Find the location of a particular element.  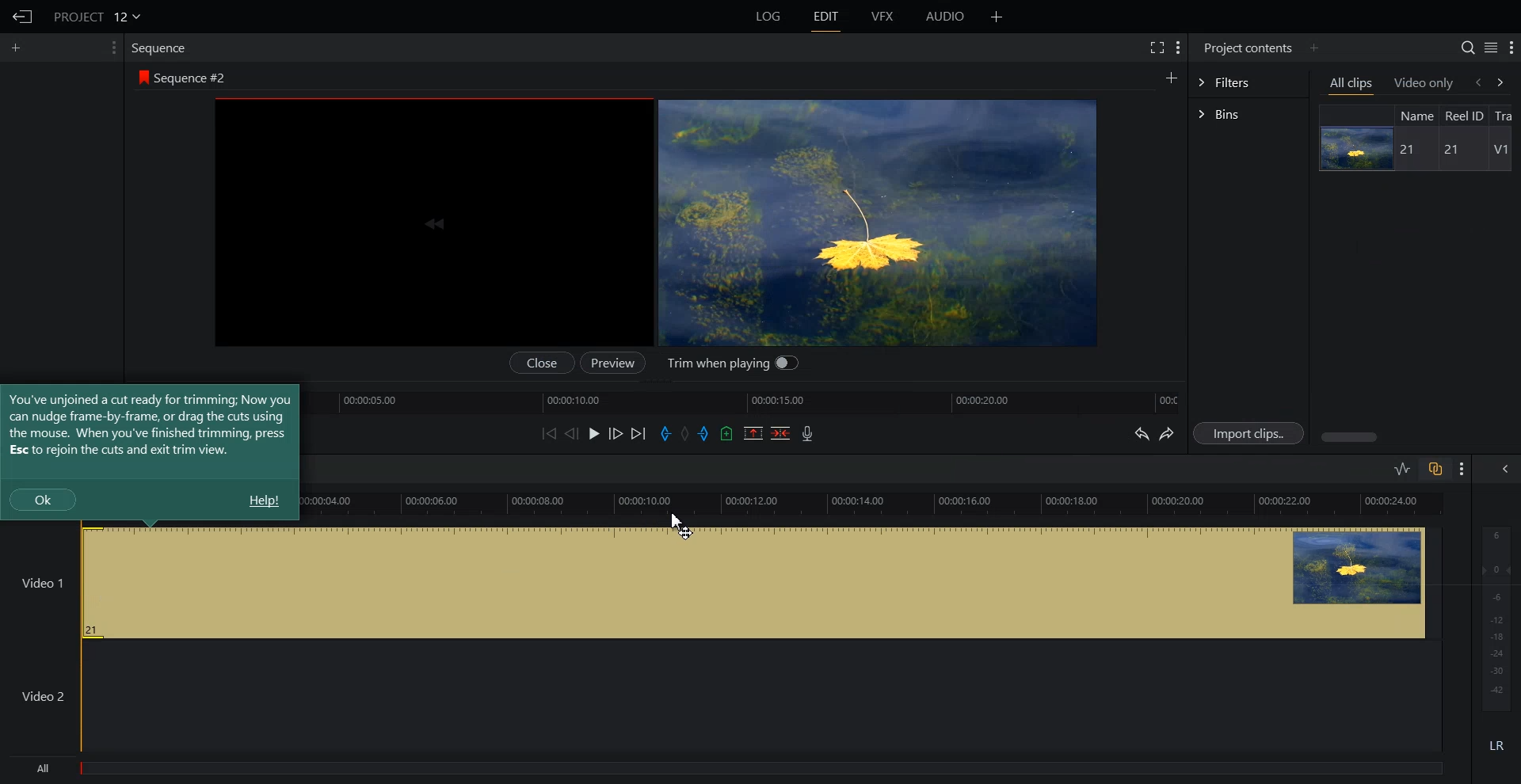

Toggle auto track sync is located at coordinates (1435, 468).